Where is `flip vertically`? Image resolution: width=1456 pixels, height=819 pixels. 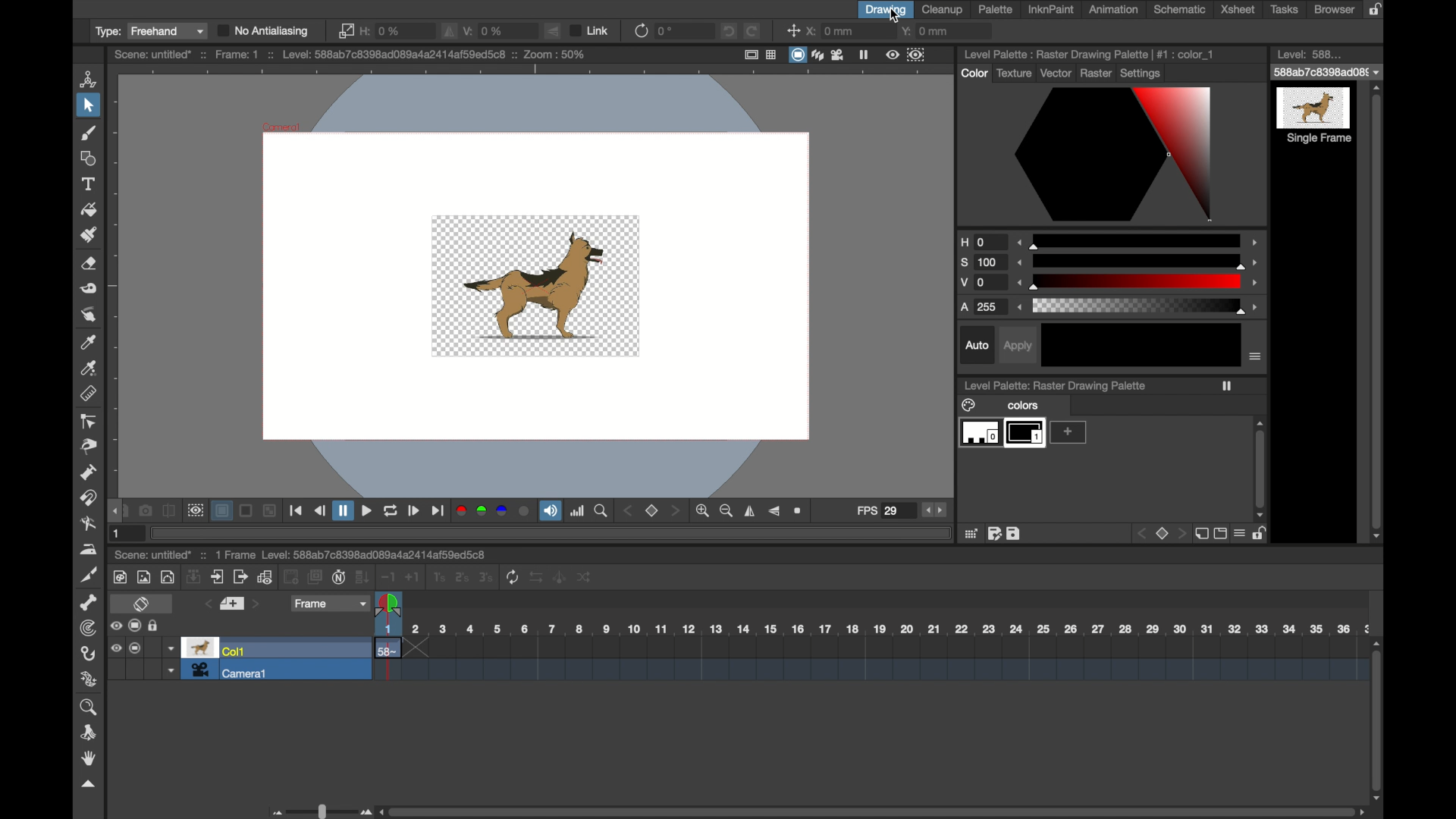 flip vertically is located at coordinates (773, 511).